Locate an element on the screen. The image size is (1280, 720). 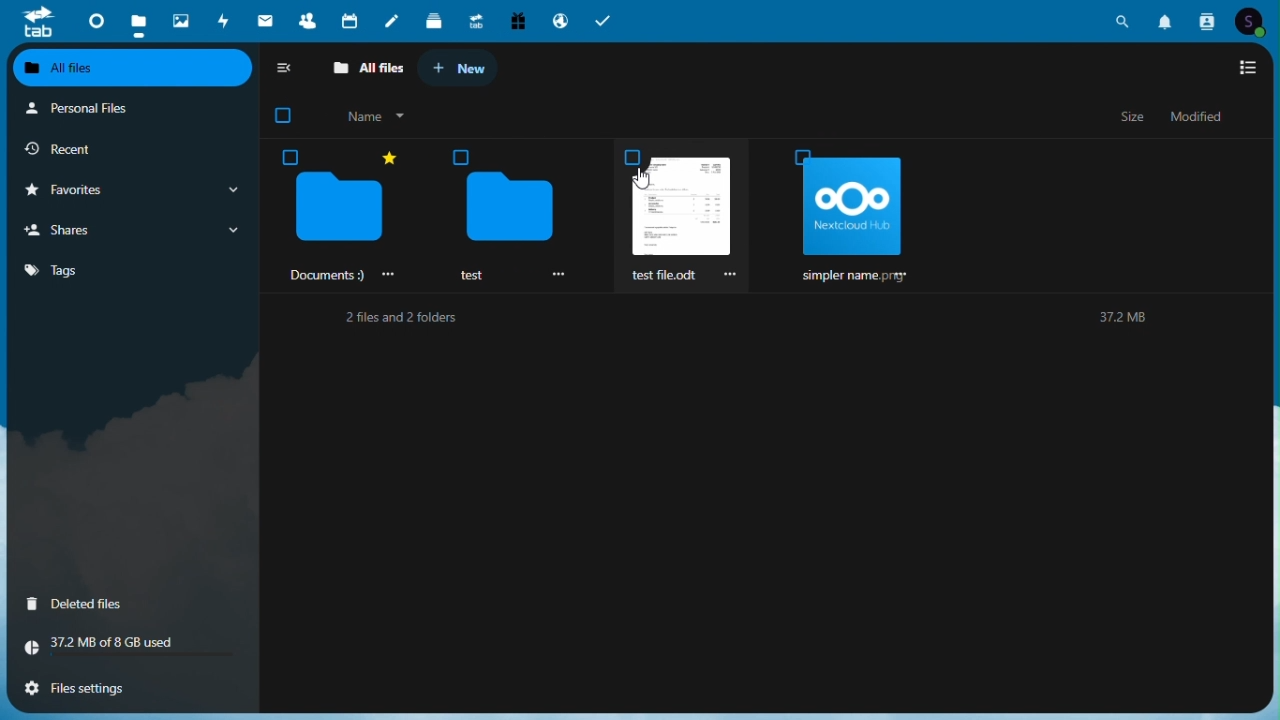
Dashboard is located at coordinates (94, 21).